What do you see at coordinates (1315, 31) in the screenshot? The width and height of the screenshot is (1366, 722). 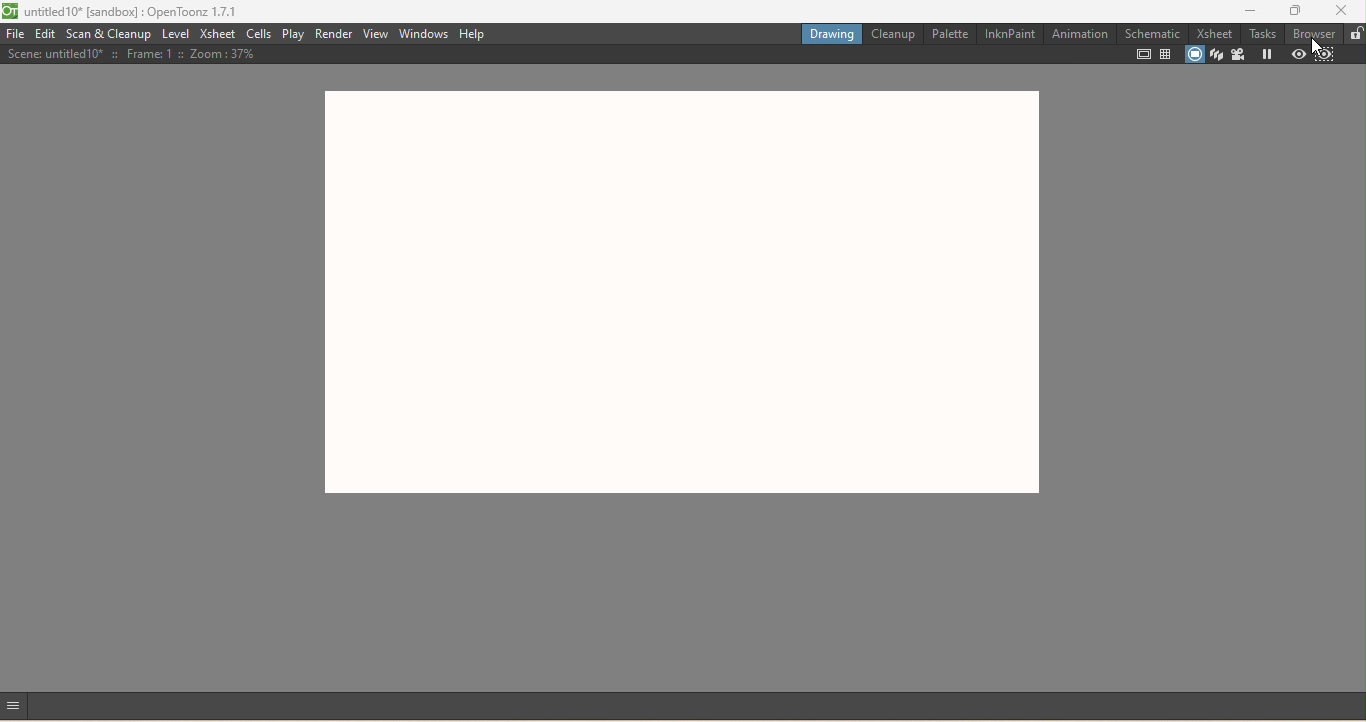 I see `Browser` at bounding box center [1315, 31].